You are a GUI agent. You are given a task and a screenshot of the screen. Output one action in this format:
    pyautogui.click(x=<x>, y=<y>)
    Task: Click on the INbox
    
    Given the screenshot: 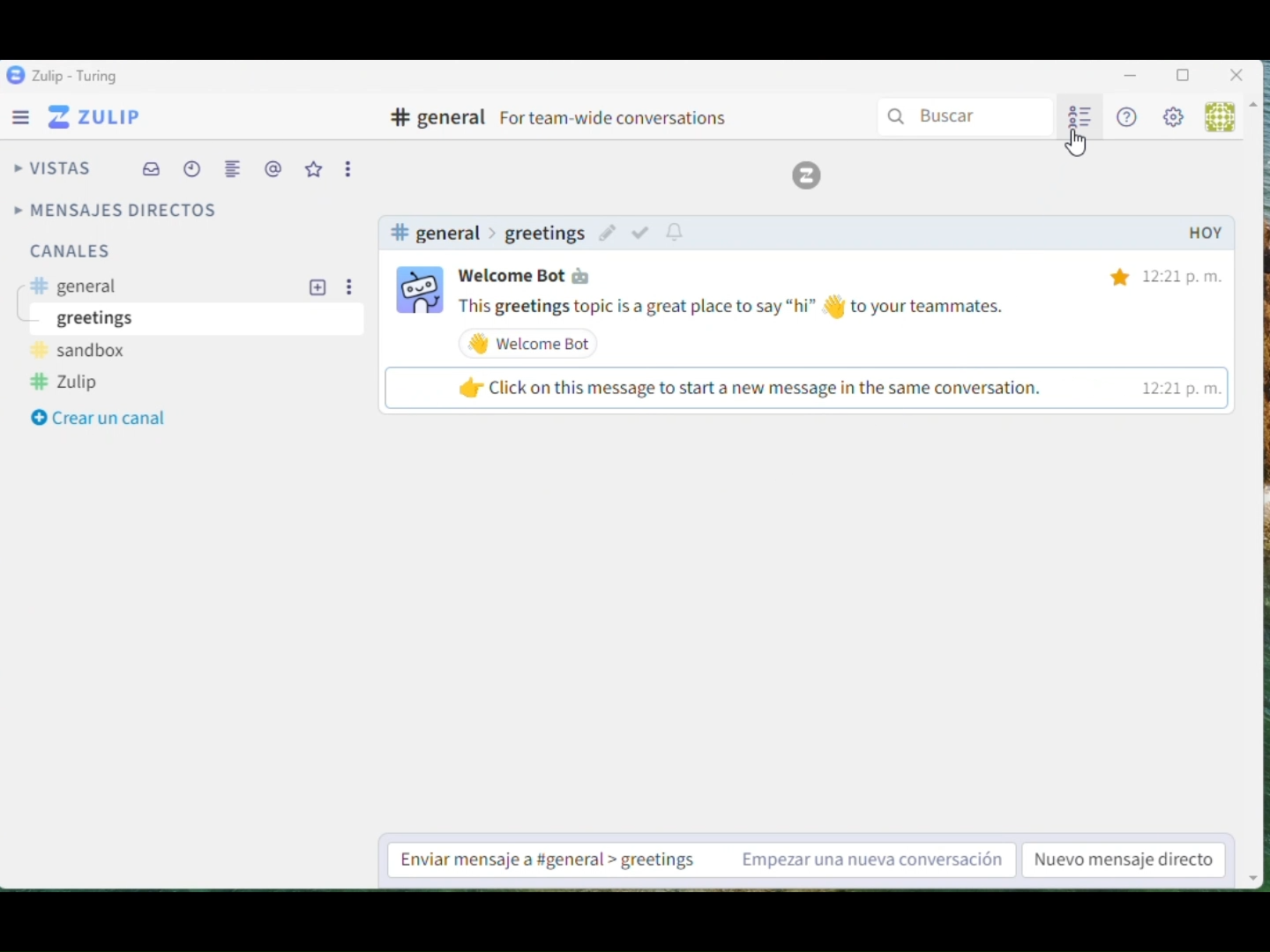 What is the action you would take?
    pyautogui.click(x=152, y=167)
    